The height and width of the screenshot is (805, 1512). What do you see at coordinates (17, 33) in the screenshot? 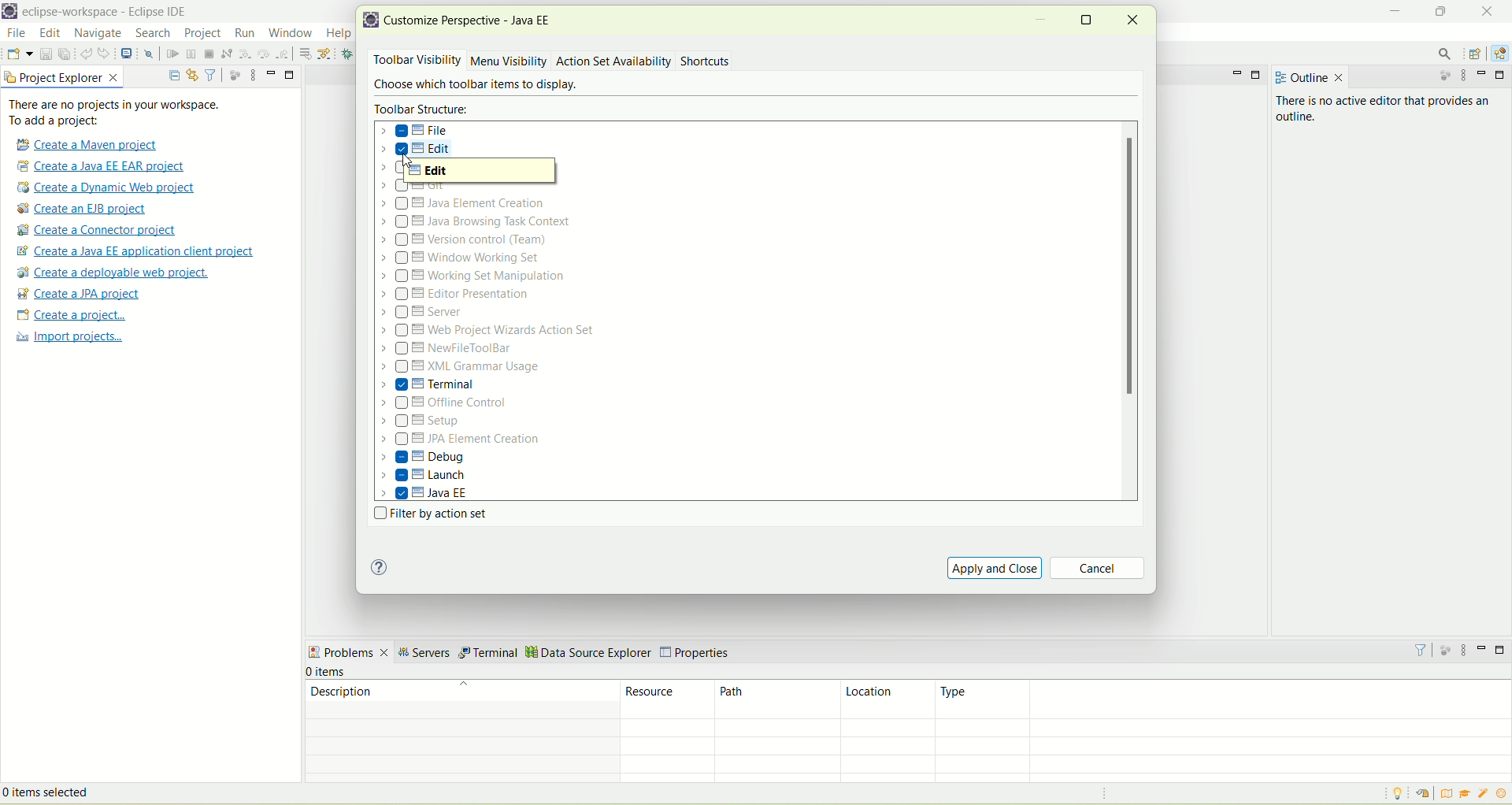
I see `file` at bounding box center [17, 33].